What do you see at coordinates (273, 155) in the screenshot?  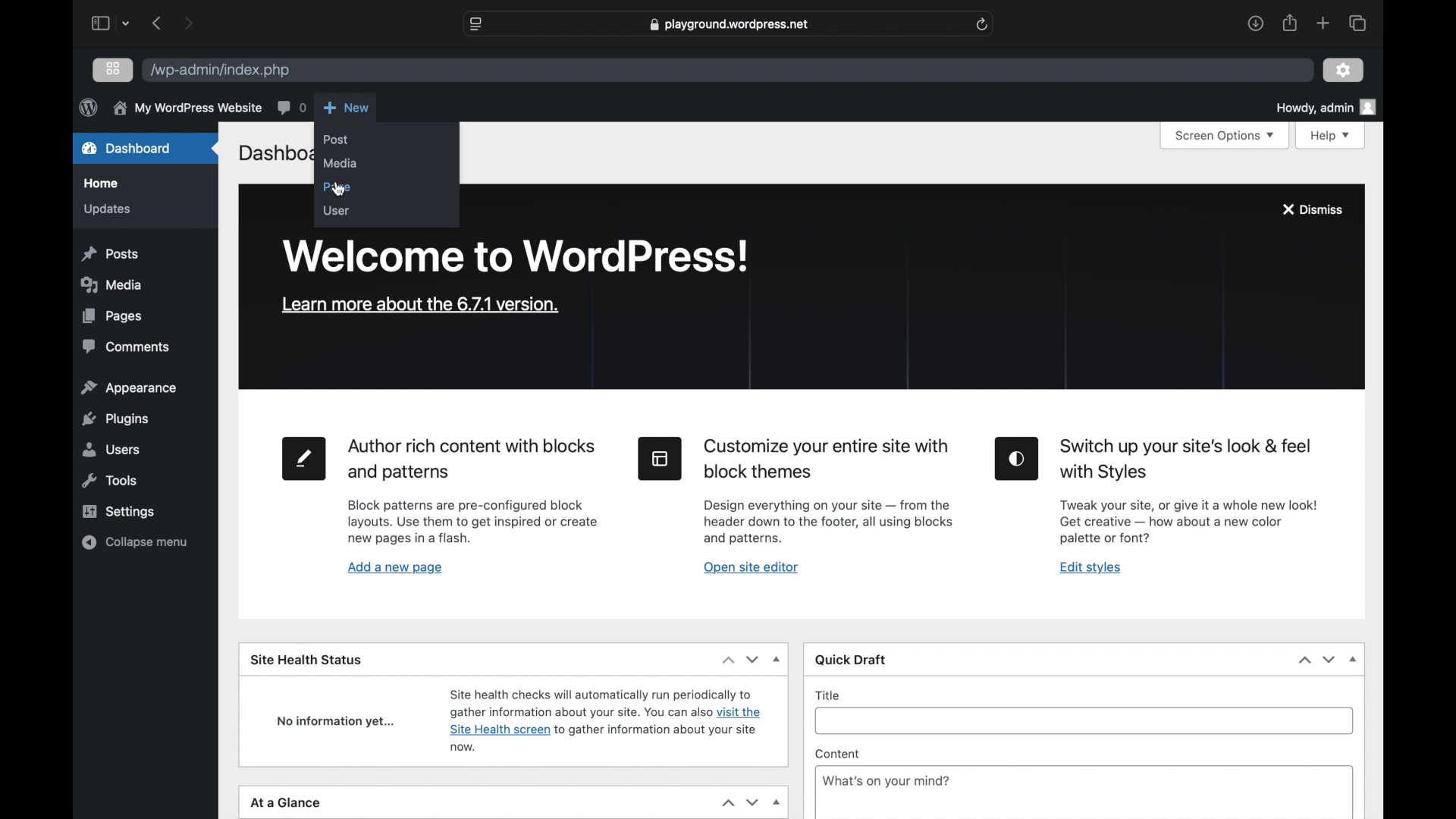 I see `dashboard` at bounding box center [273, 155].